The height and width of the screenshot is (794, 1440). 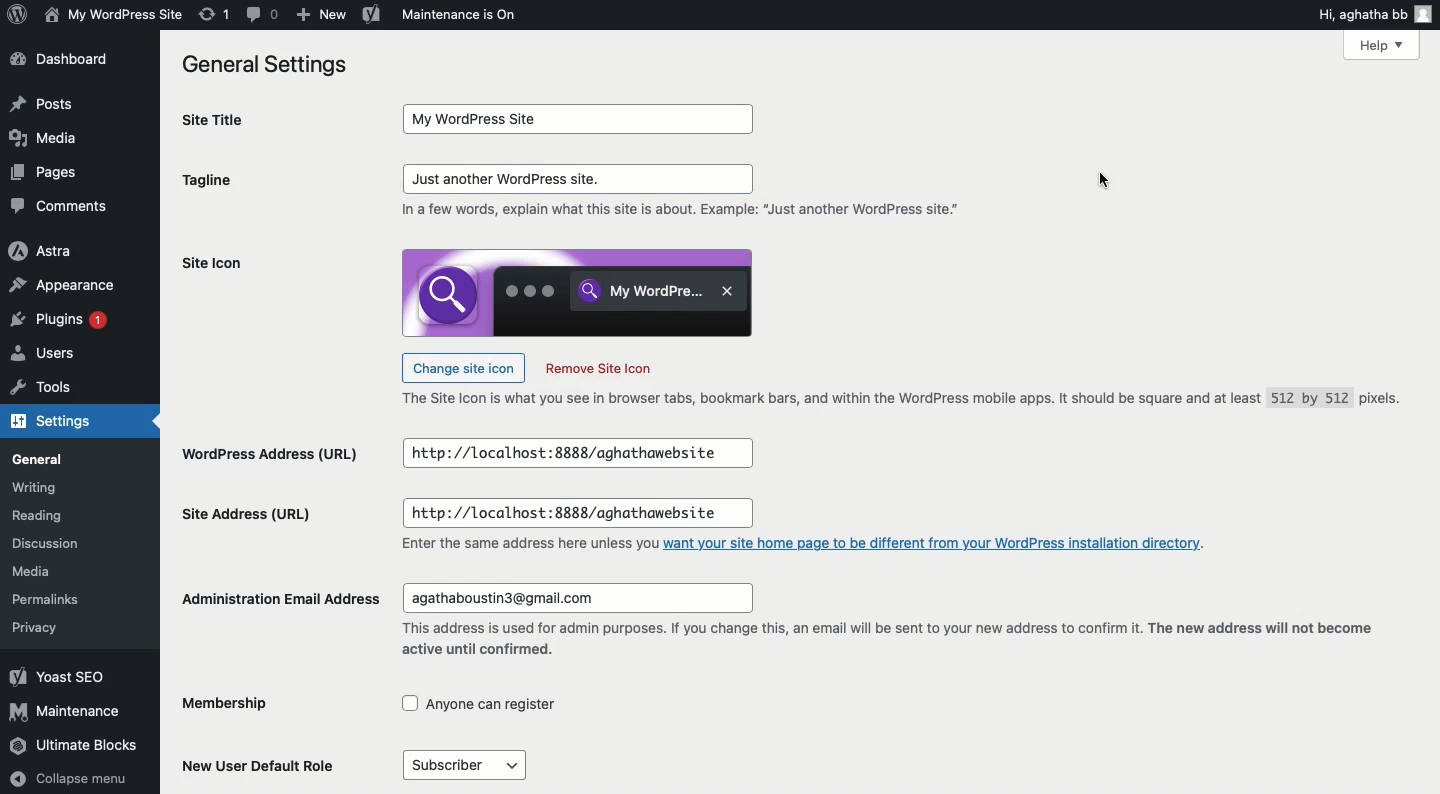 What do you see at coordinates (268, 456) in the screenshot?
I see `Wordpress address` at bounding box center [268, 456].